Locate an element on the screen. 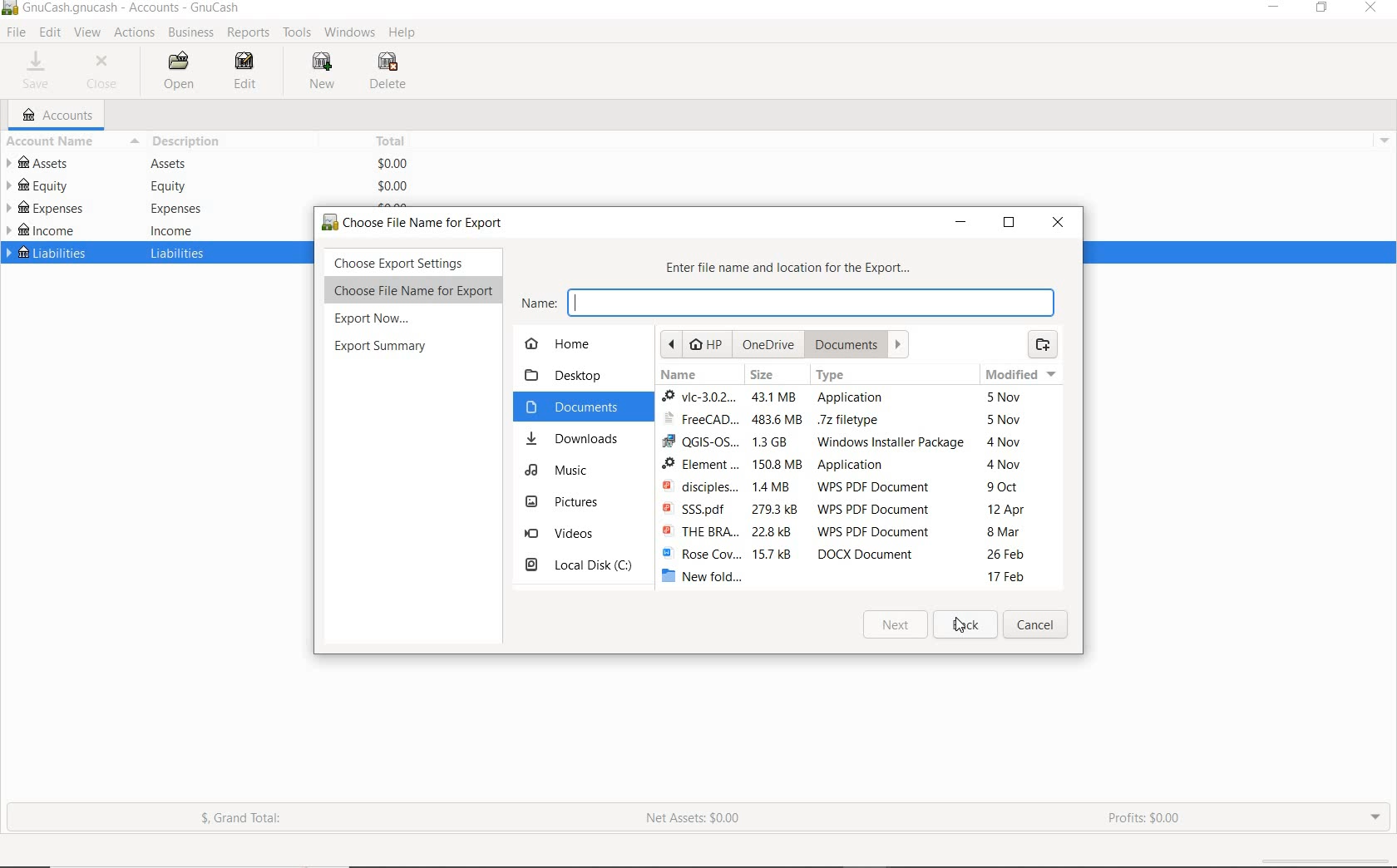 The height and width of the screenshot is (868, 1397). close is located at coordinates (1051, 219).